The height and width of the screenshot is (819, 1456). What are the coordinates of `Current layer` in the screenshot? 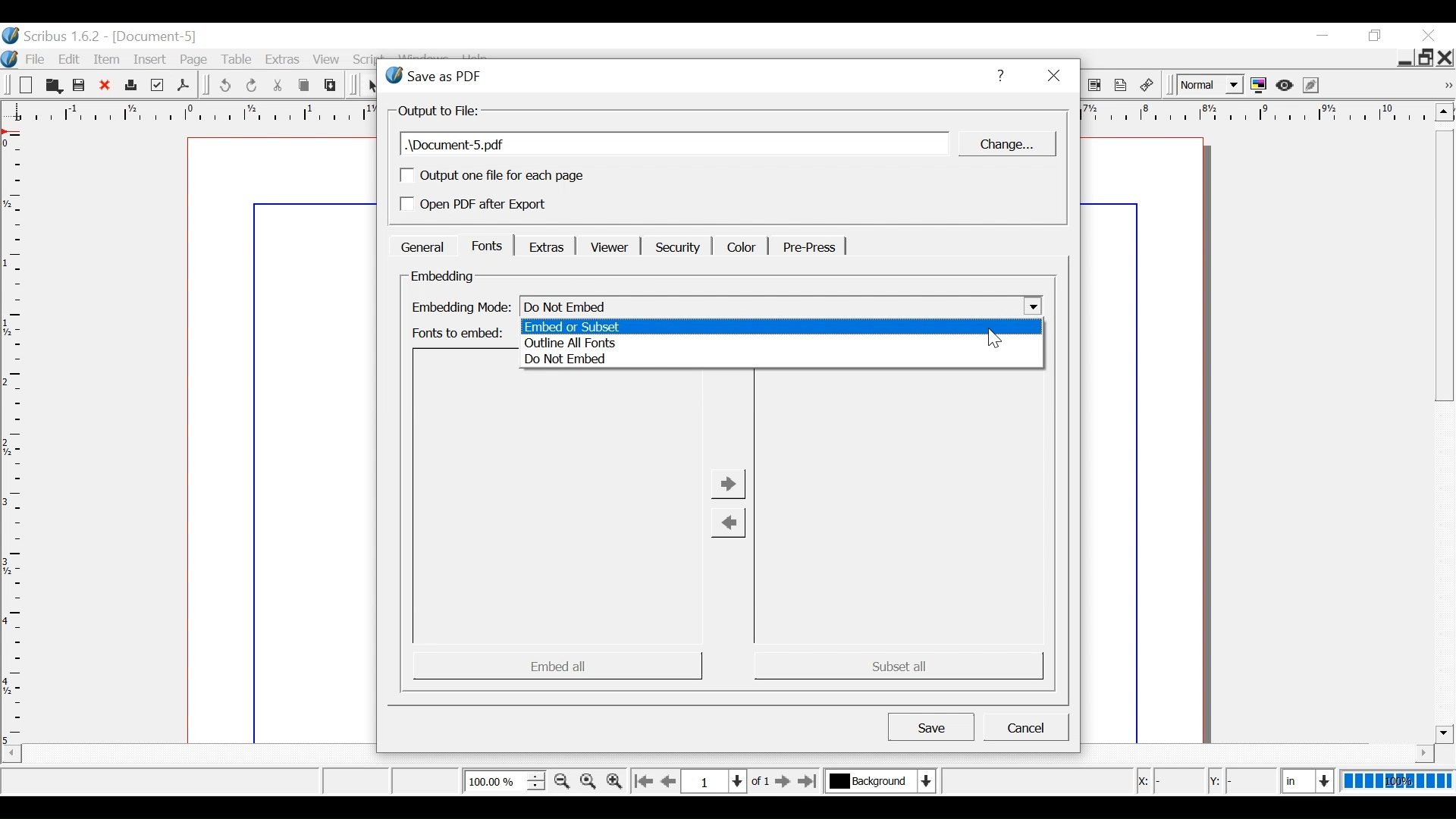 It's located at (880, 780).